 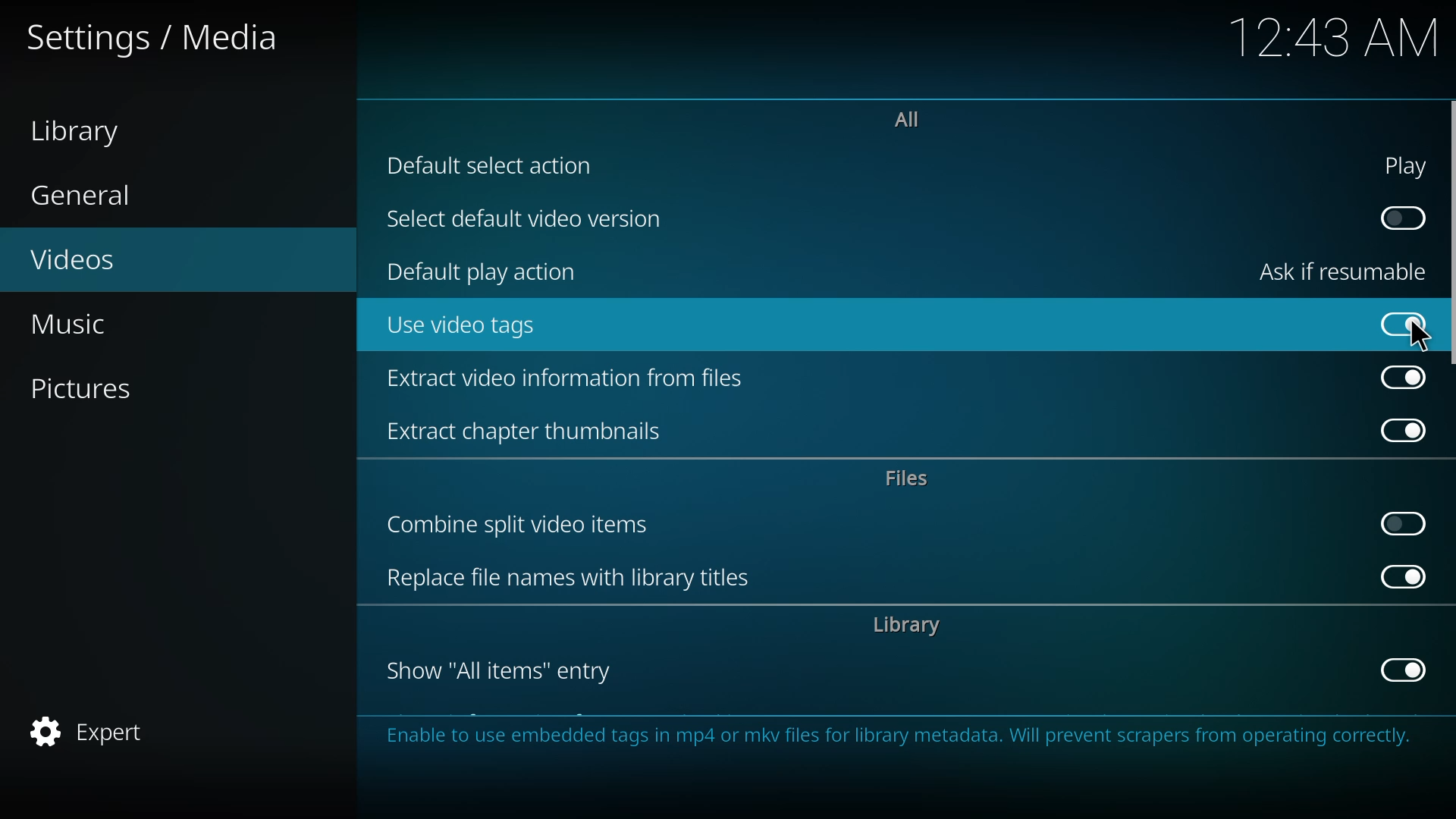 What do you see at coordinates (1404, 431) in the screenshot?
I see `enabled` at bounding box center [1404, 431].